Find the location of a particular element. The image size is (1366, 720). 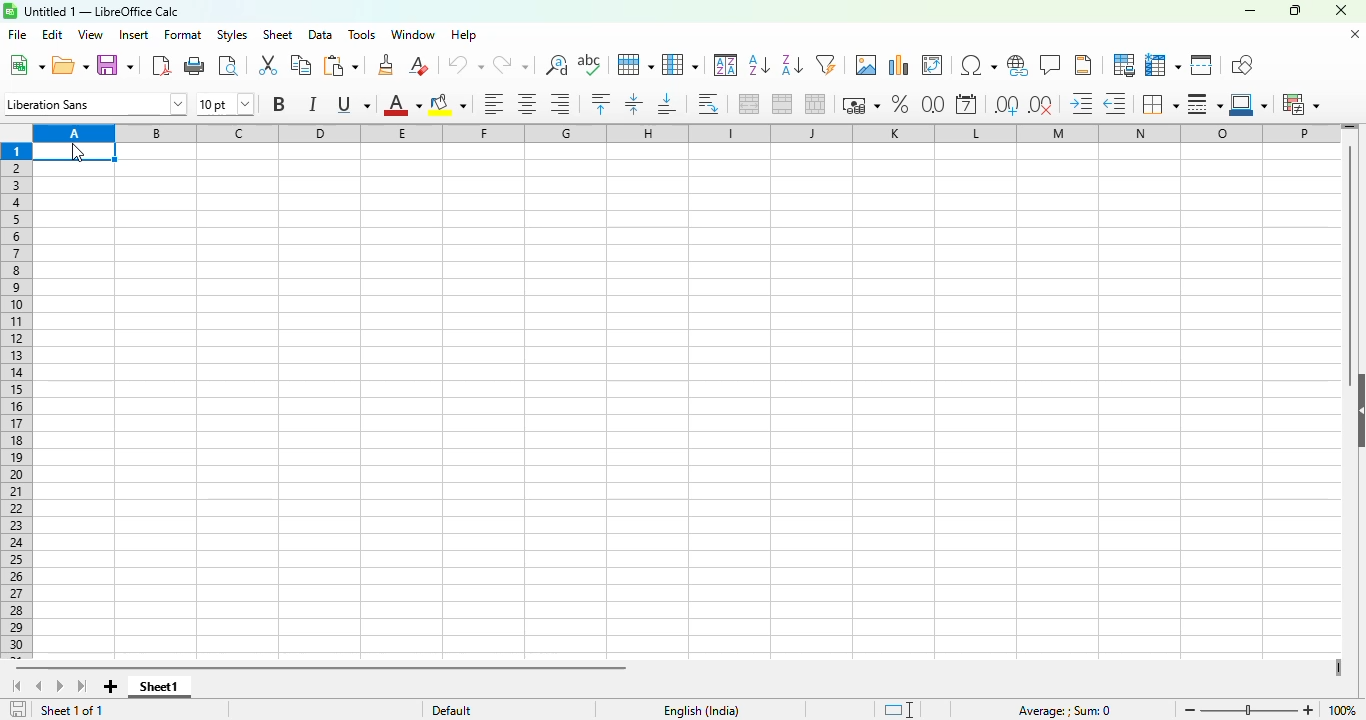

insert image is located at coordinates (867, 64).